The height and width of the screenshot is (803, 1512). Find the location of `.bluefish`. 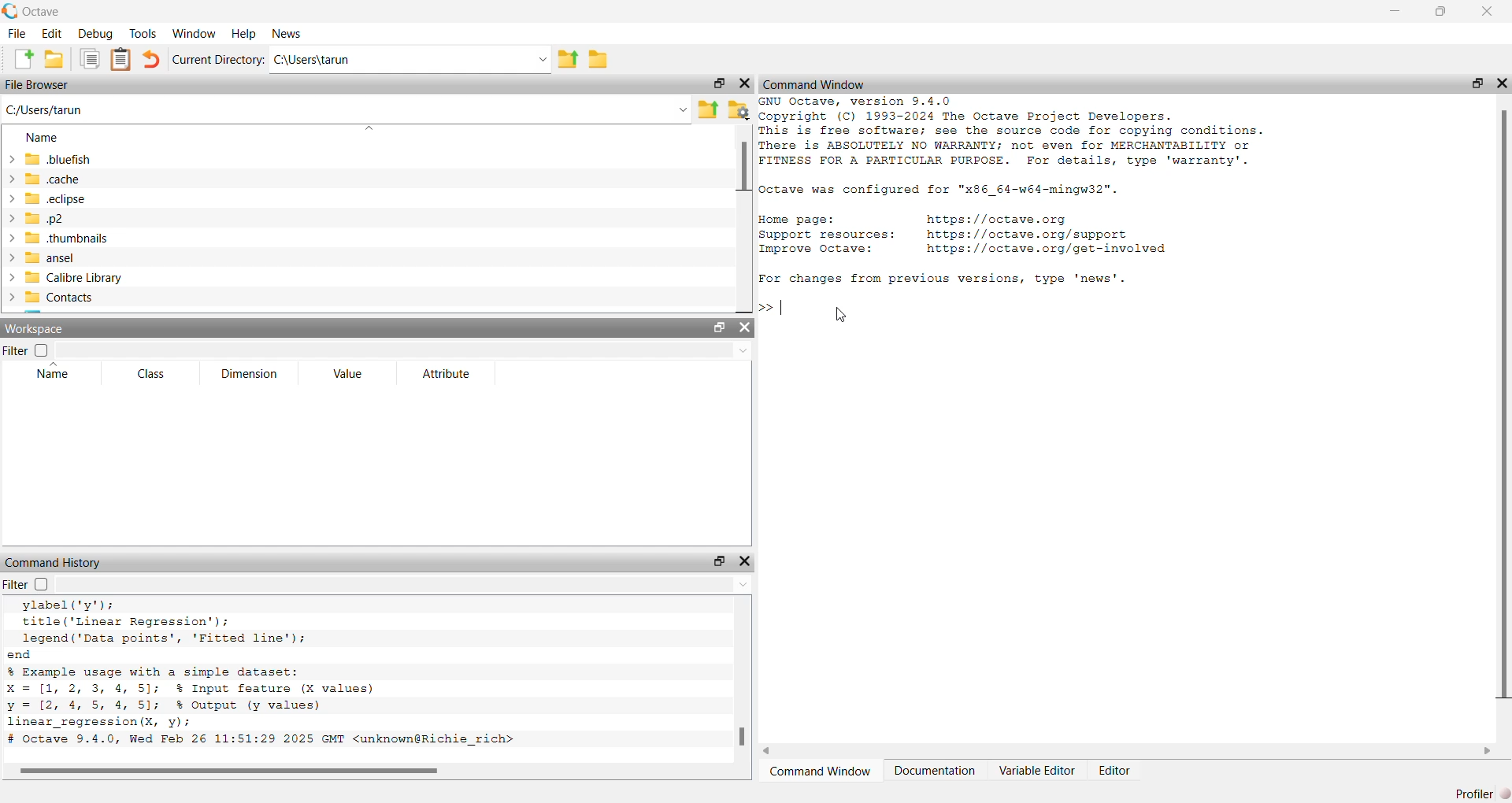

.bluefish is located at coordinates (131, 160).